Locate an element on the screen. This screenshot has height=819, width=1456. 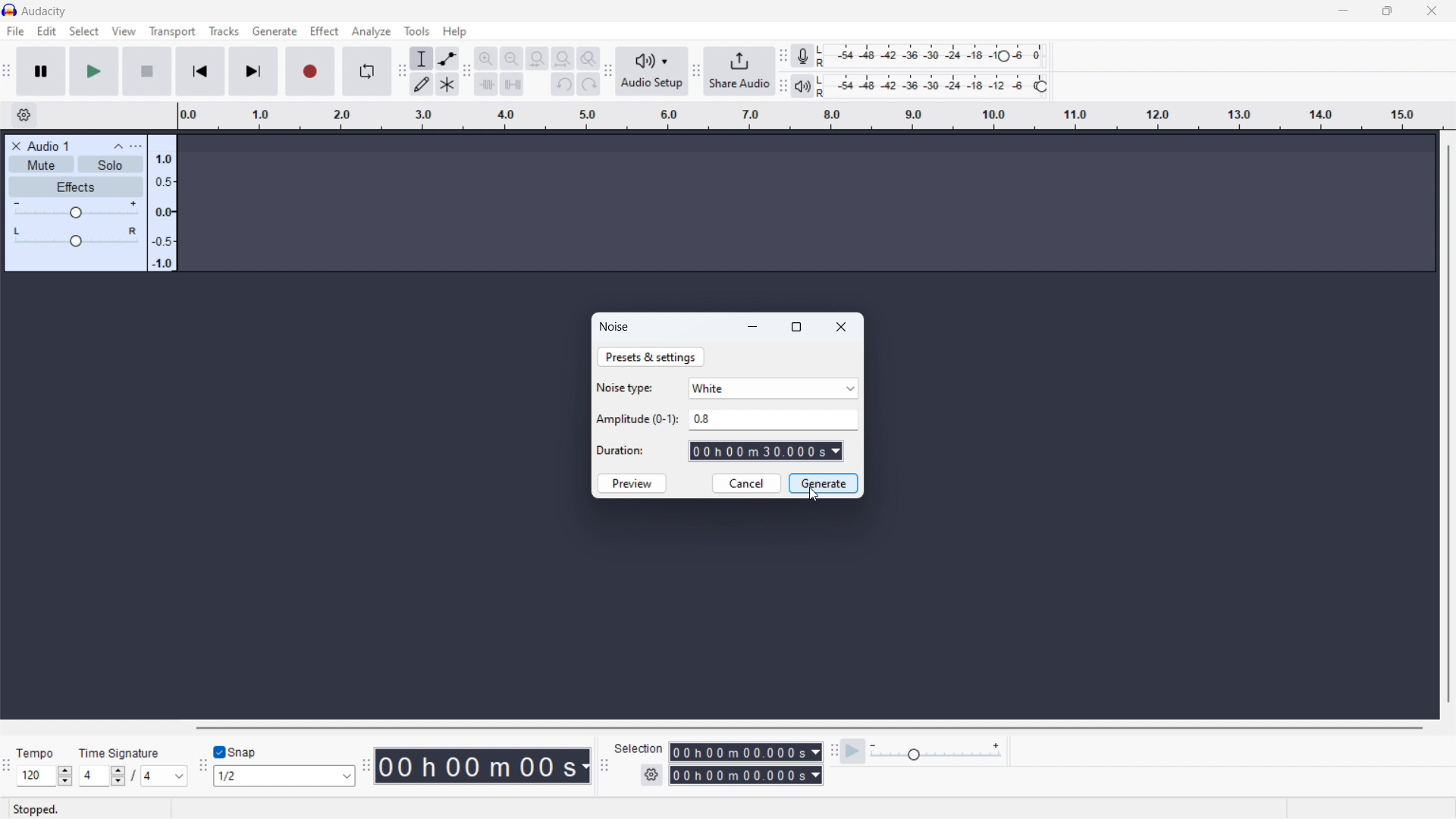
record is located at coordinates (310, 71).